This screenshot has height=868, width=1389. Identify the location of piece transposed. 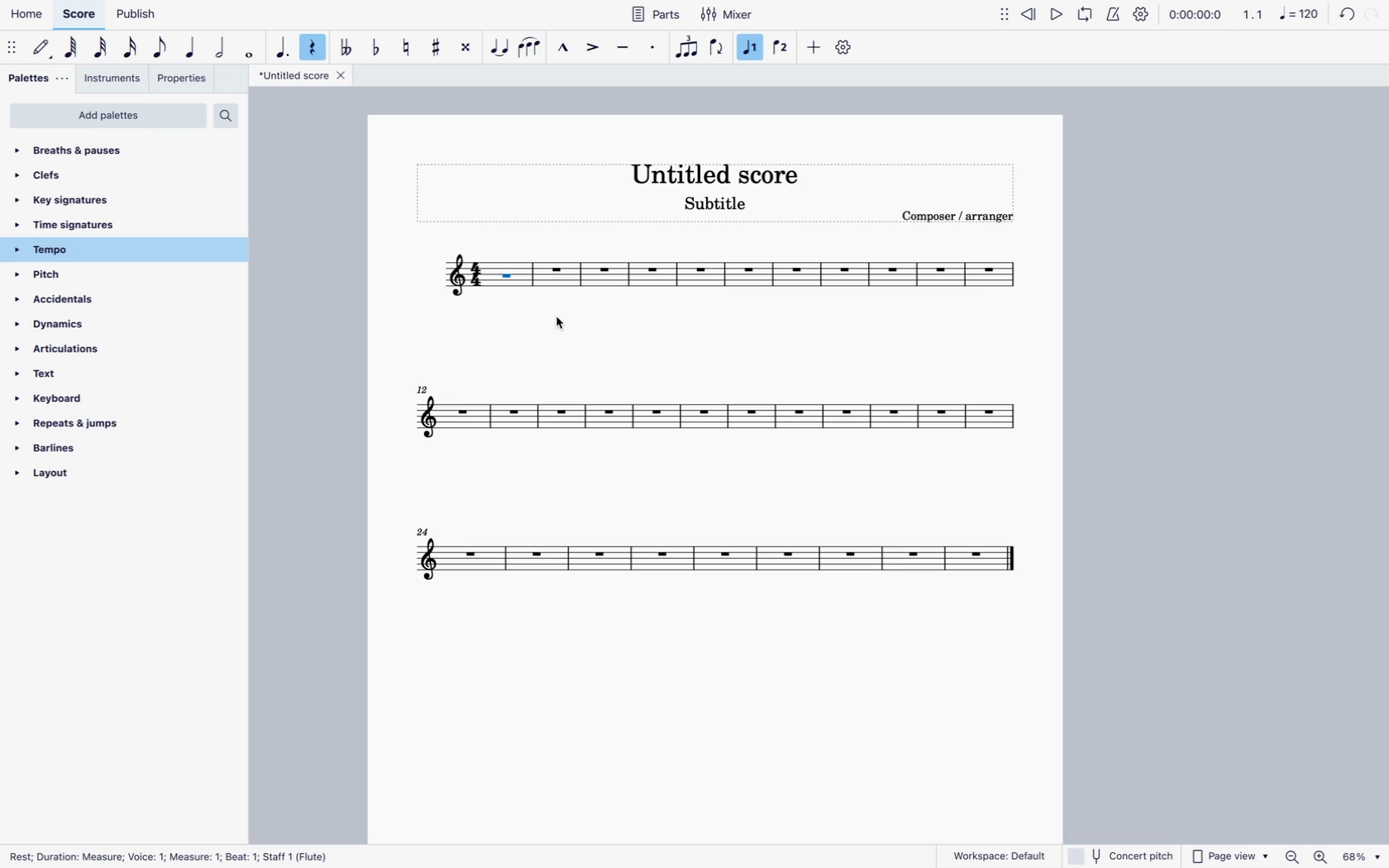
(512, 274).